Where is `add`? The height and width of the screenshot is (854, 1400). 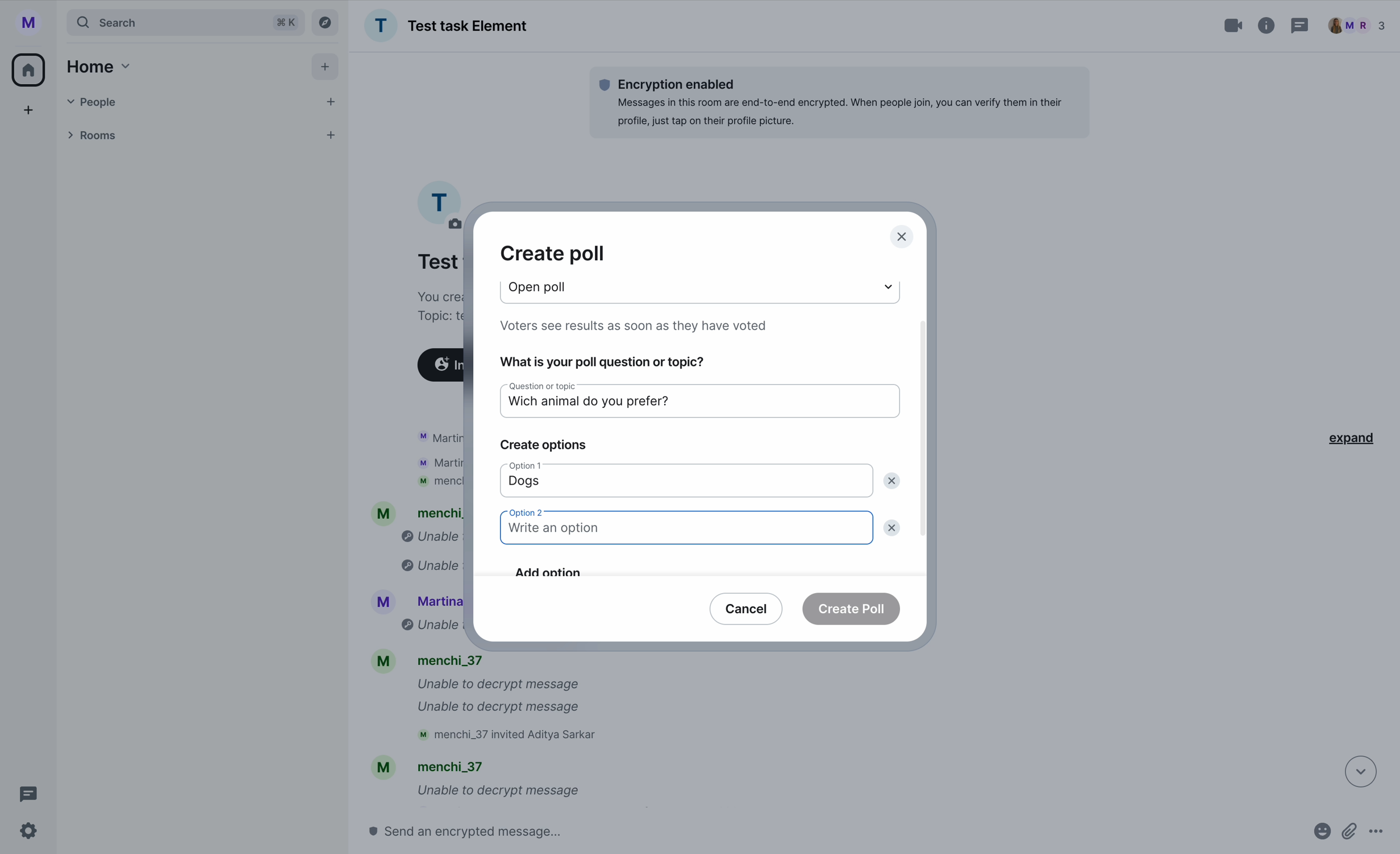
add is located at coordinates (327, 69).